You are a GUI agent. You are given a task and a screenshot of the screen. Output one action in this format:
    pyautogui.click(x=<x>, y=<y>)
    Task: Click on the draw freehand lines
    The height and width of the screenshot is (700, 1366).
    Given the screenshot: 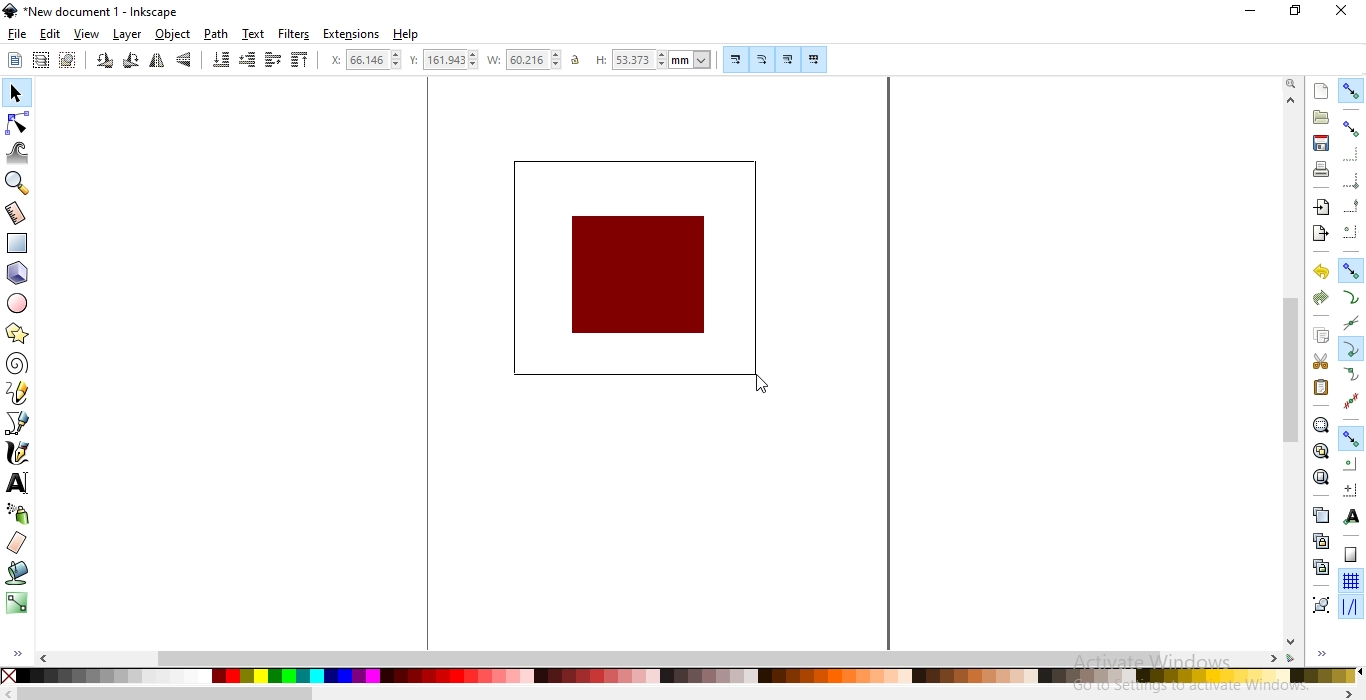 What is the action you would take?
    pyautogui.click(x=17, y=393)
    